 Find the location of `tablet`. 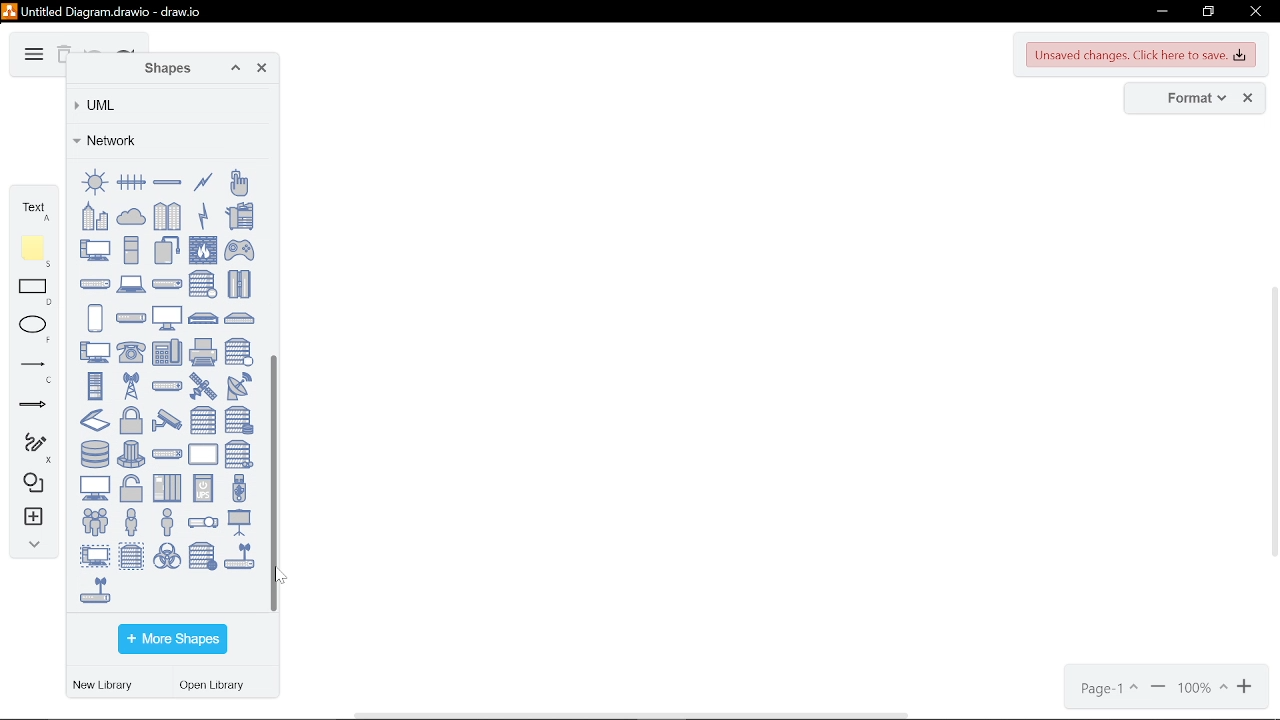

tablet is located at coordinates (203, 454).